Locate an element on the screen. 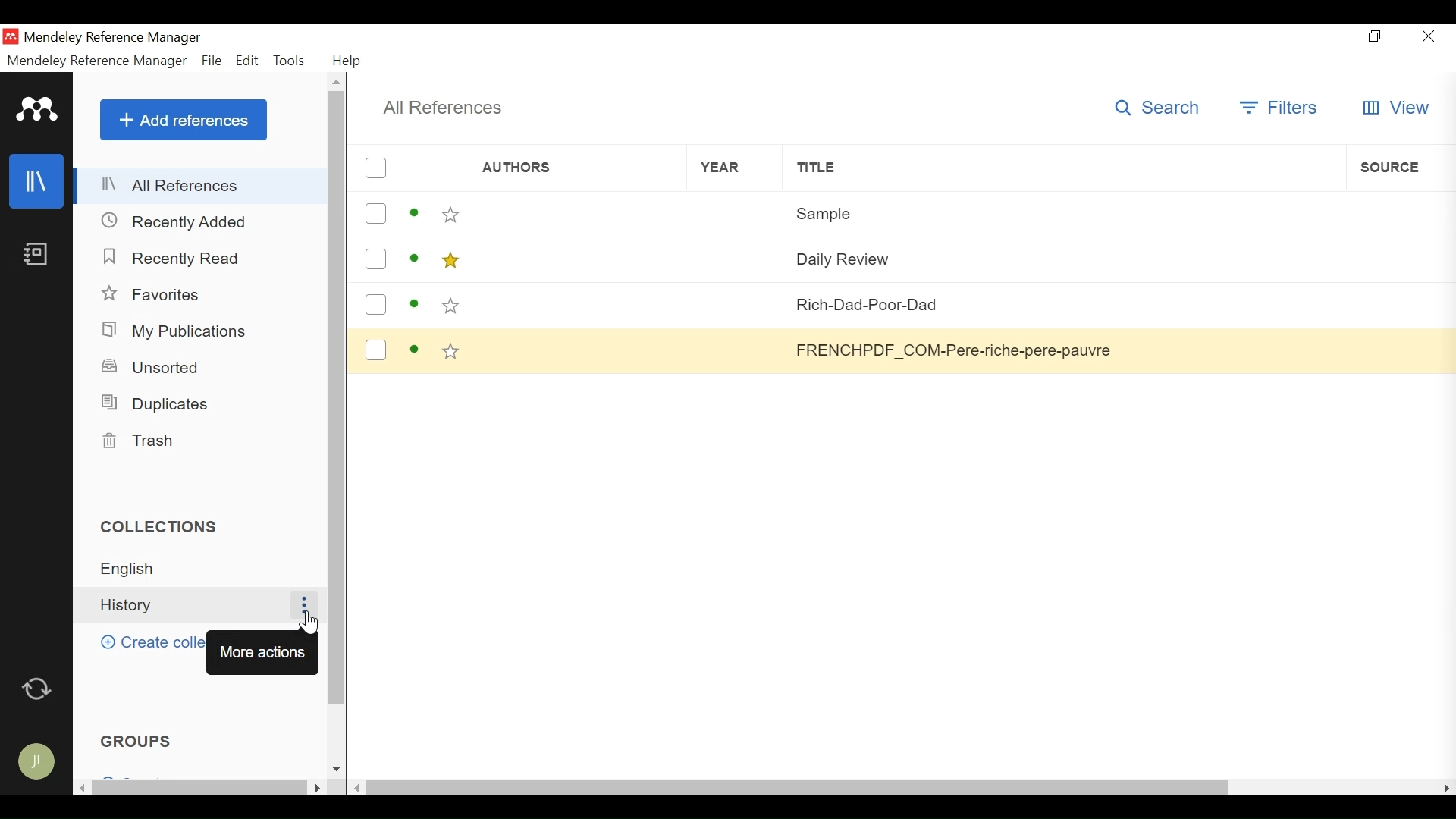 The width and height of the screenshot is (1456, 819). Tools is located at coordinates (292, 60).